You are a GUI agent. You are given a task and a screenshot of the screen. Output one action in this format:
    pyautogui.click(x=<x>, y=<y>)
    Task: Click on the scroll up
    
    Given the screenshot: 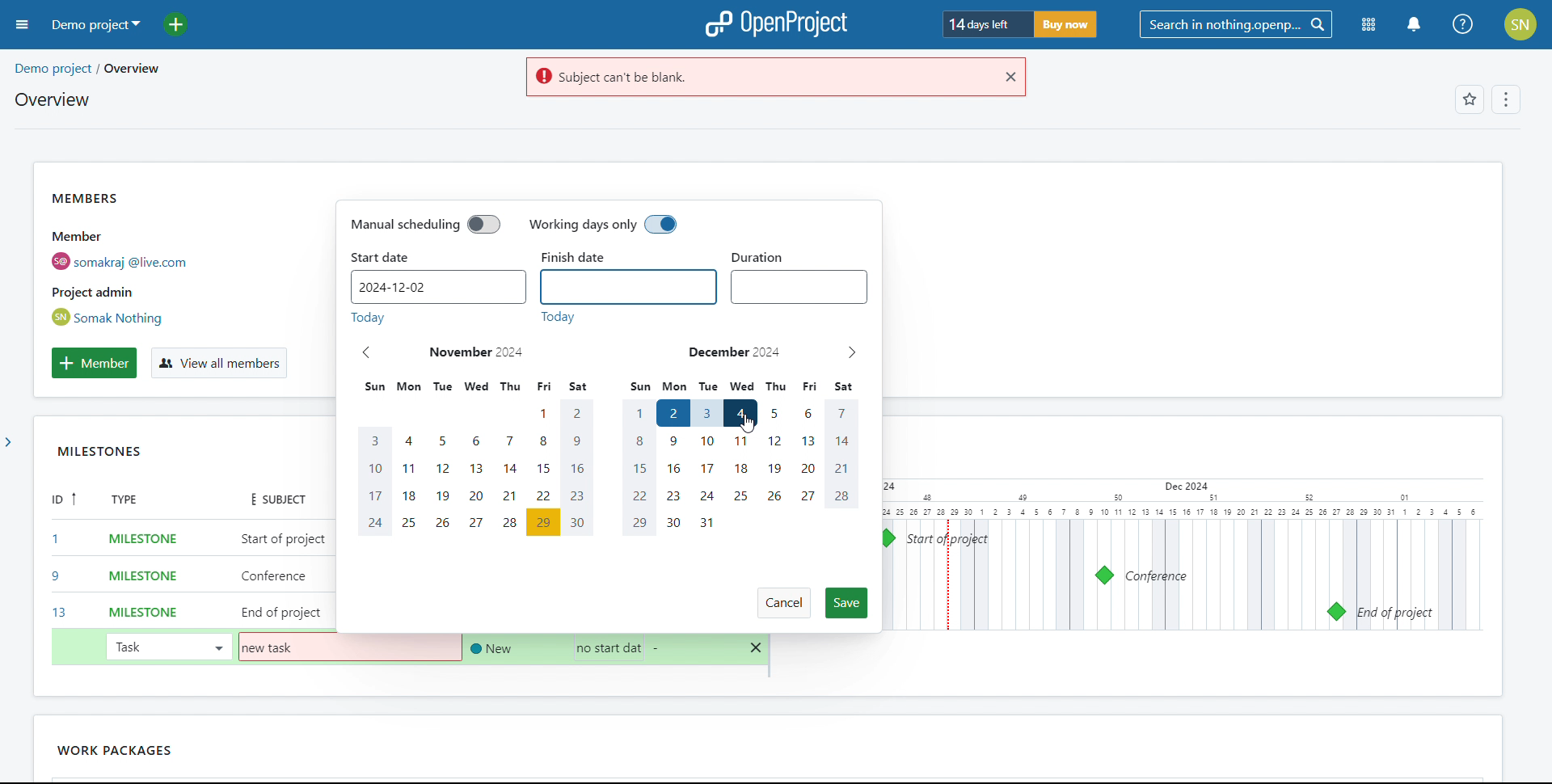 What is the action you would take?
    pyautogui.click(x=1541, y=57)
    